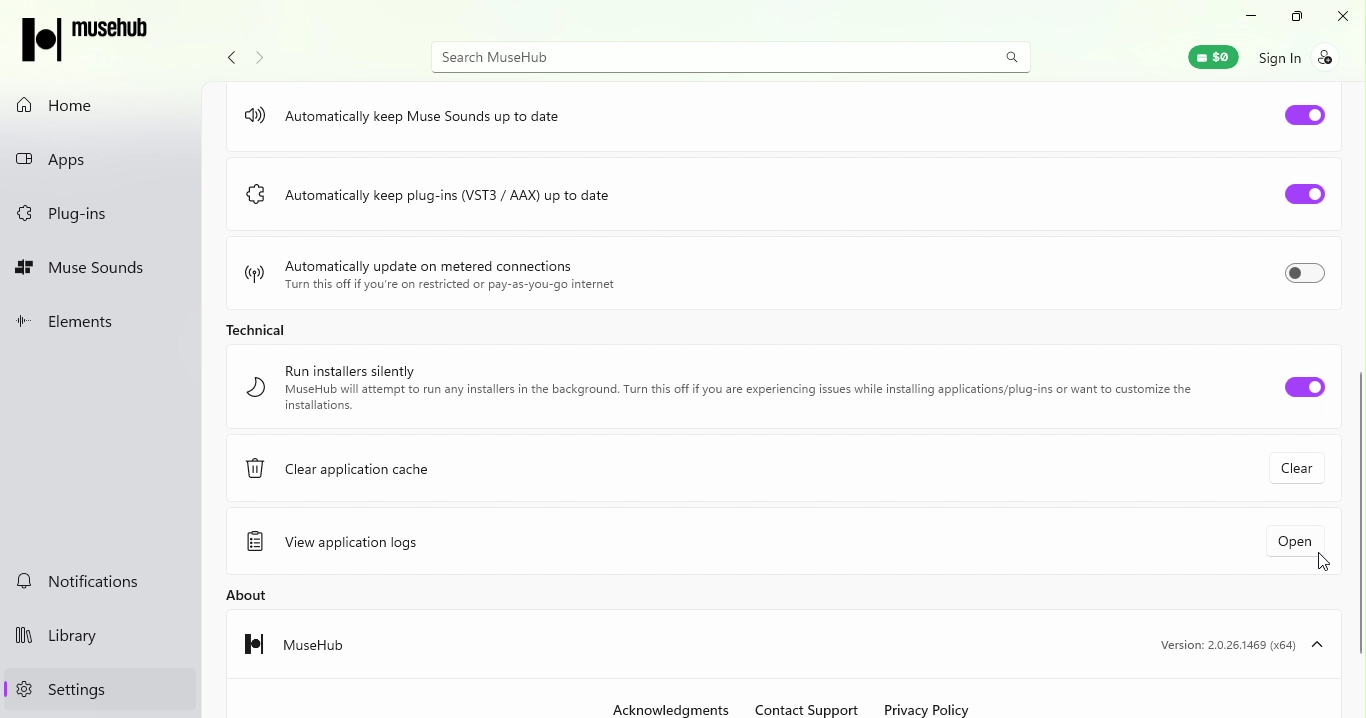  What do you see at coordinates (737, 389) in the screenshot?
I see `Run installers silently` at bounding box center [737, 389].